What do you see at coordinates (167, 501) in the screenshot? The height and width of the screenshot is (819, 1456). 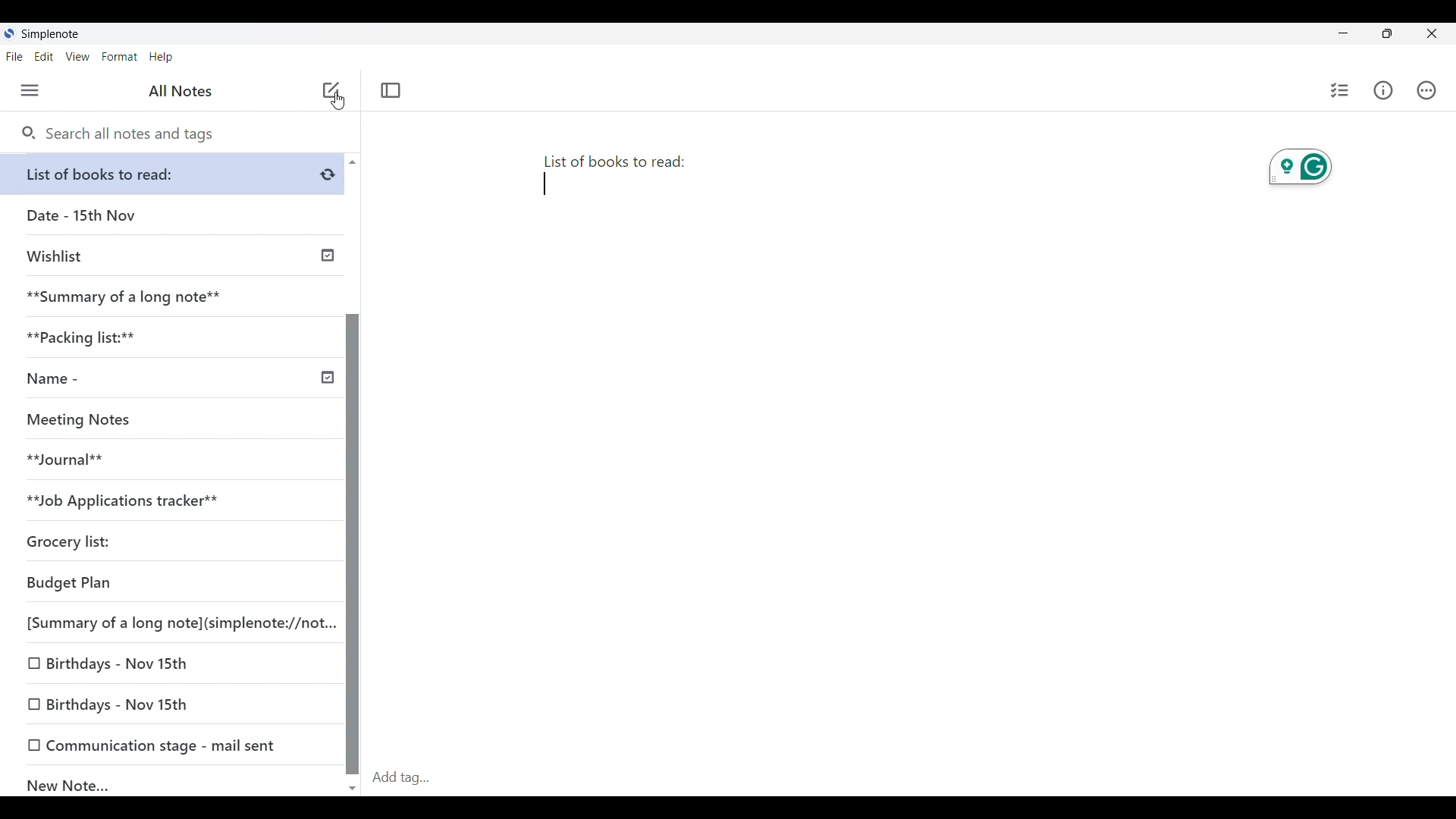 I see `**Job Applications tracker**` at bounding box center [167, 501].